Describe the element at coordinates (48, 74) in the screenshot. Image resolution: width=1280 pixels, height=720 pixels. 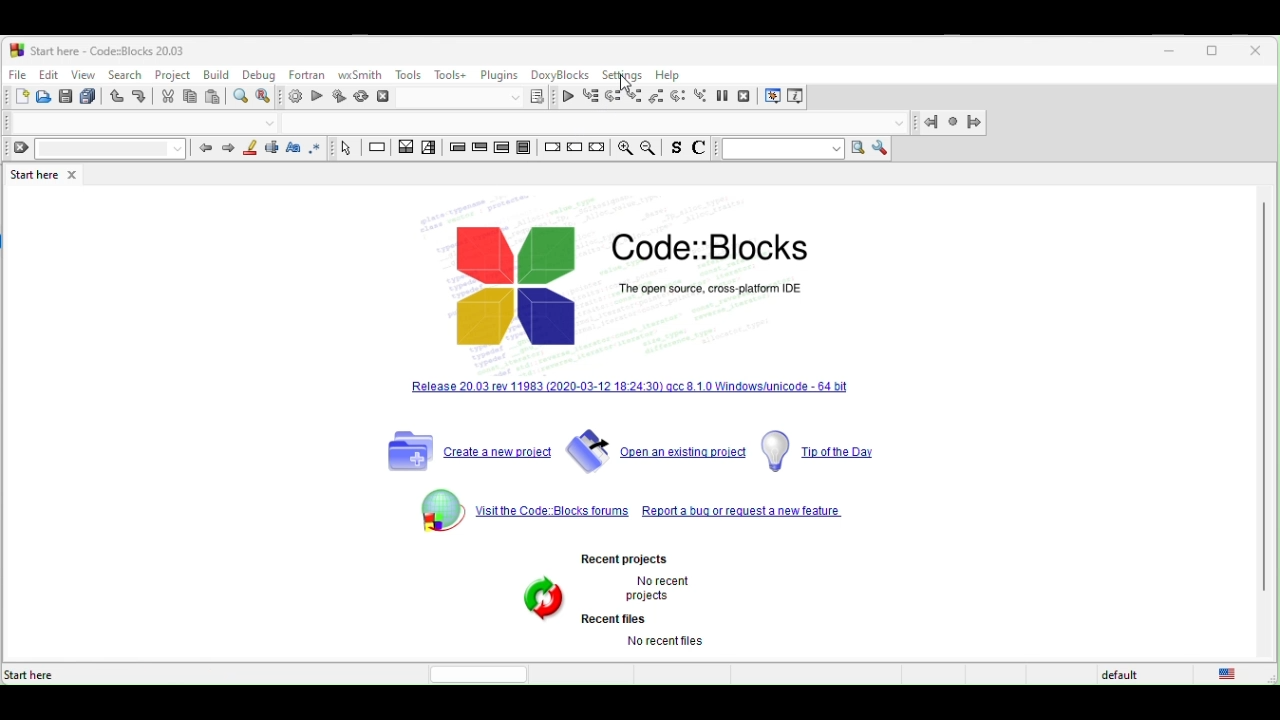
I see `edit` at that location.